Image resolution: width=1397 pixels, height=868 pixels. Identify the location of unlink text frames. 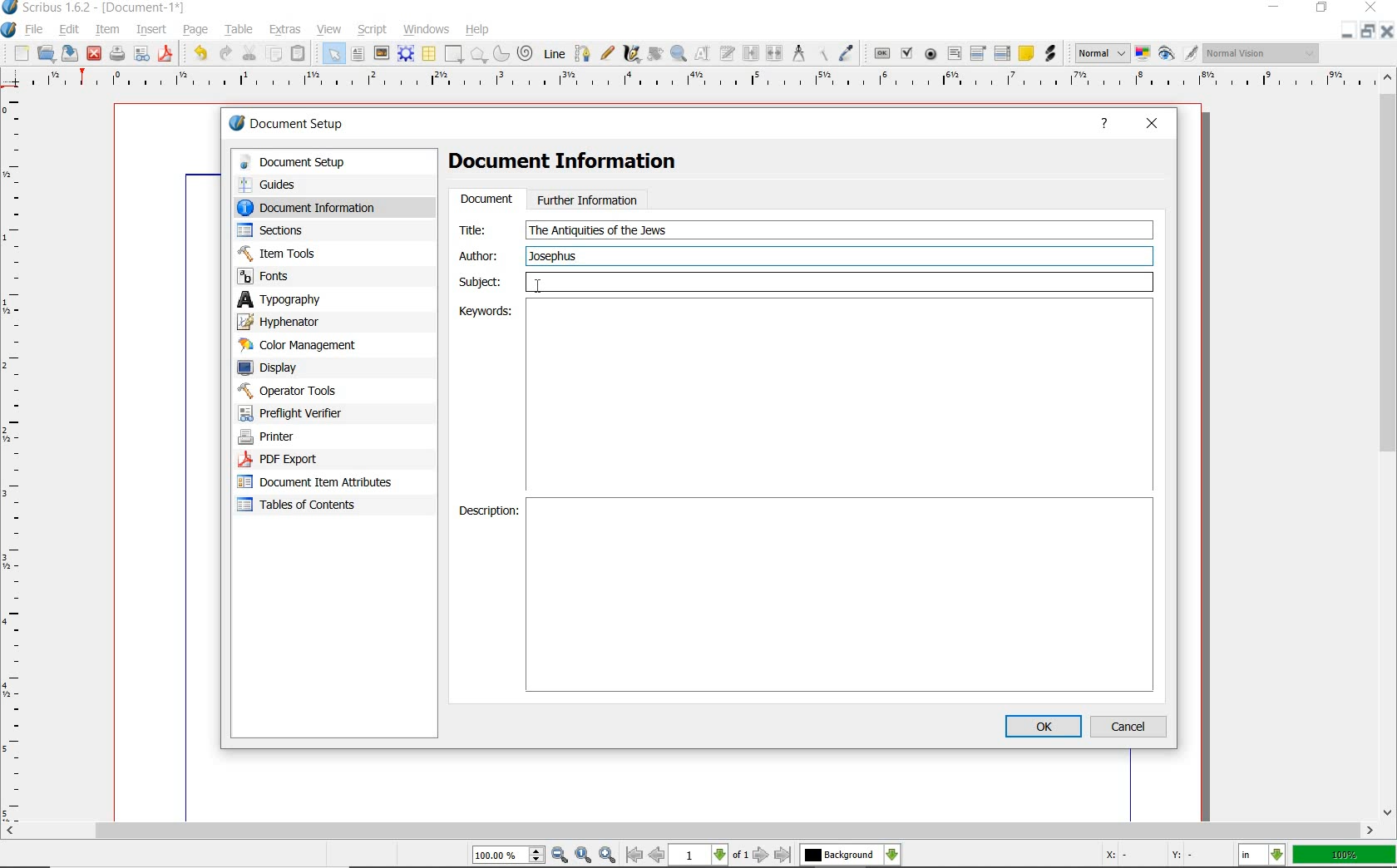
(775, 52).